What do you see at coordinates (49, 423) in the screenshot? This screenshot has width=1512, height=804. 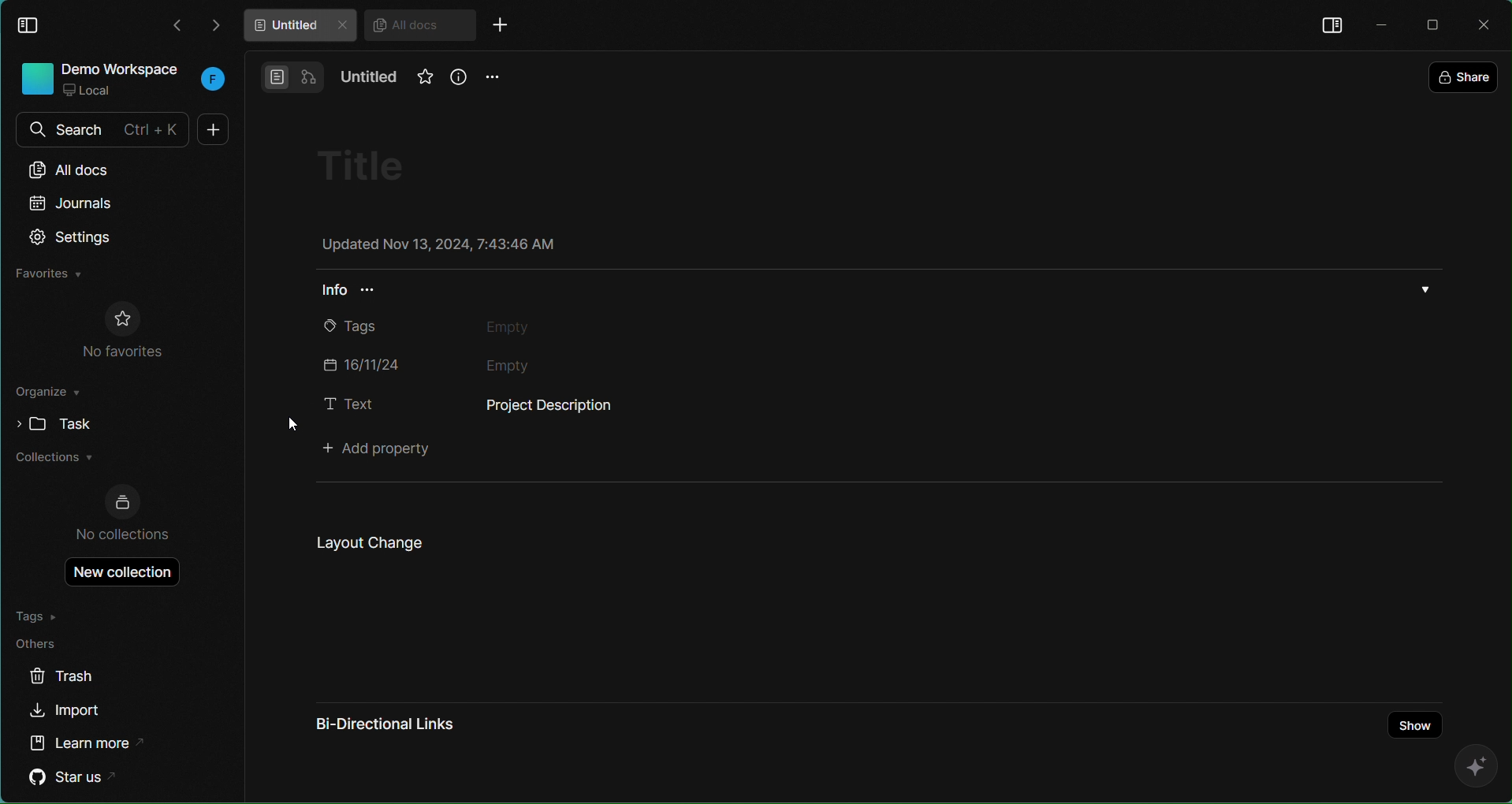 I see `task ` at bounding box center [49, 423].